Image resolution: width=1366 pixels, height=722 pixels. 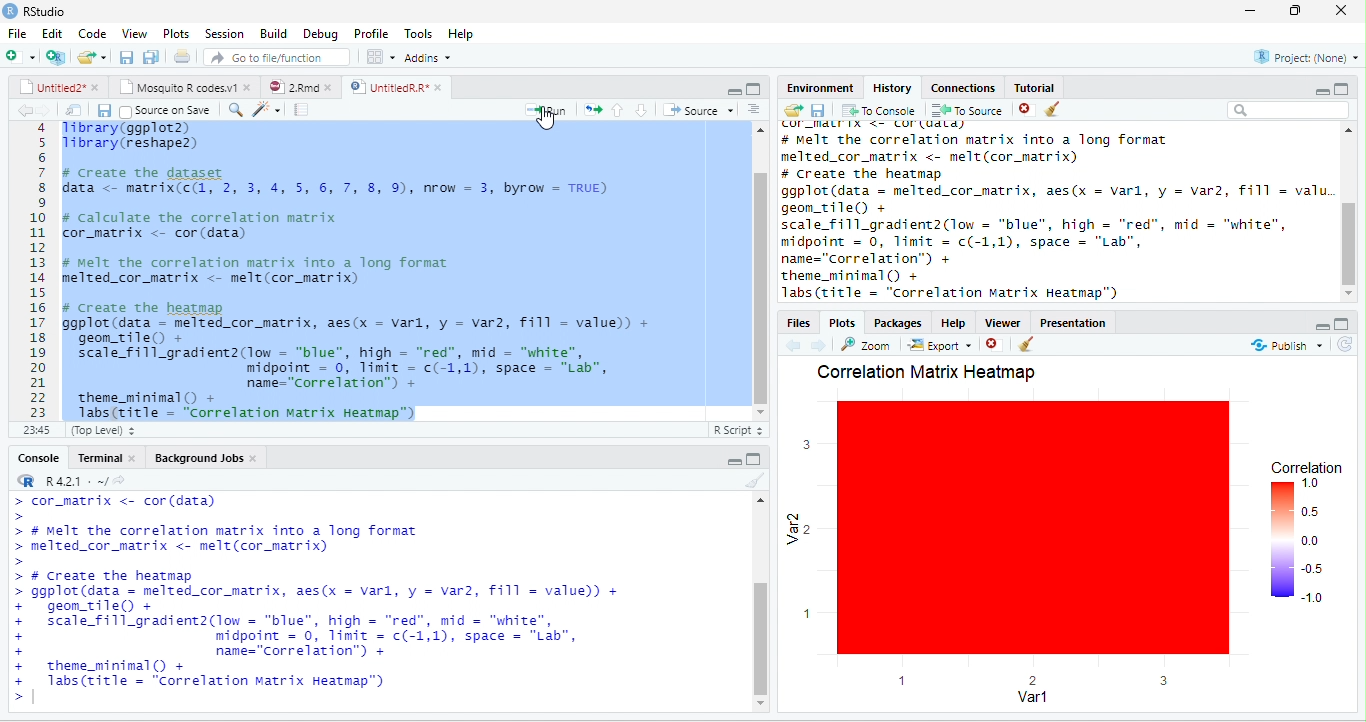 I want to click on edit, so click(x=52, y=34).